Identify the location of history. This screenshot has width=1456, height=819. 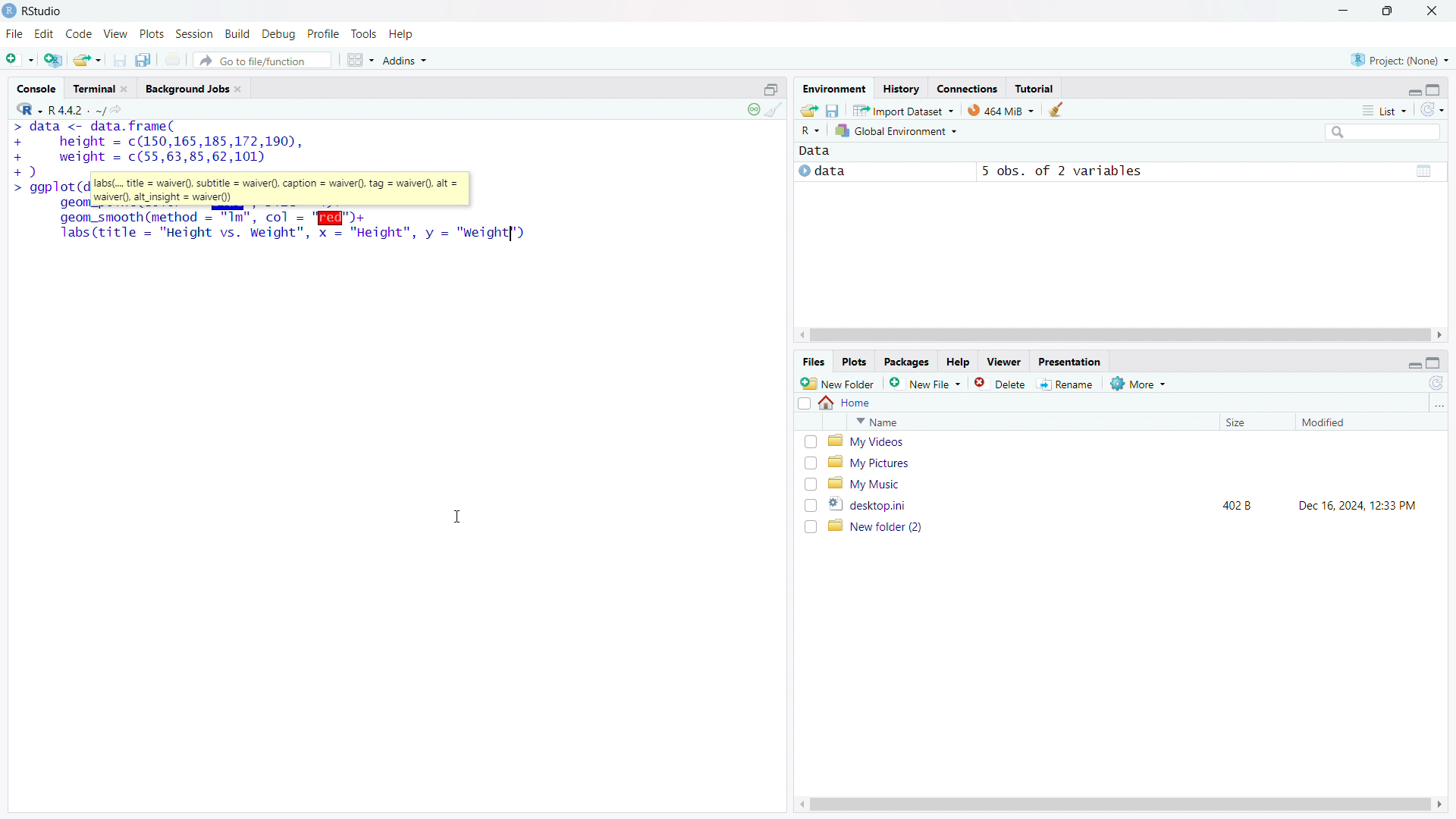
(901, 88).